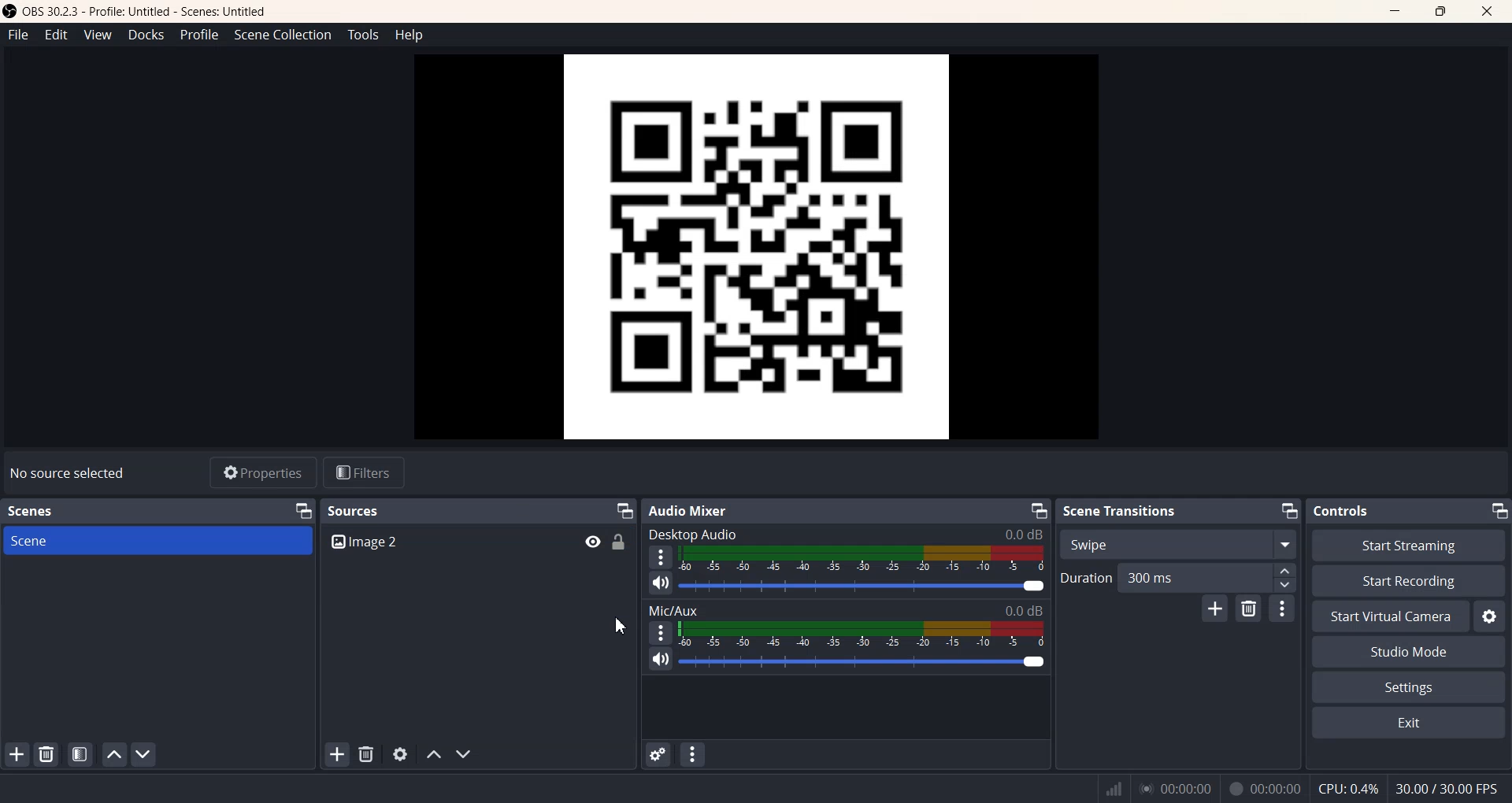 This screenshot has height=803, width=1512. What do you see at coordinates (401, 754) in the screenshot?
I see `Open source properties` at bounding box center [401, 754].